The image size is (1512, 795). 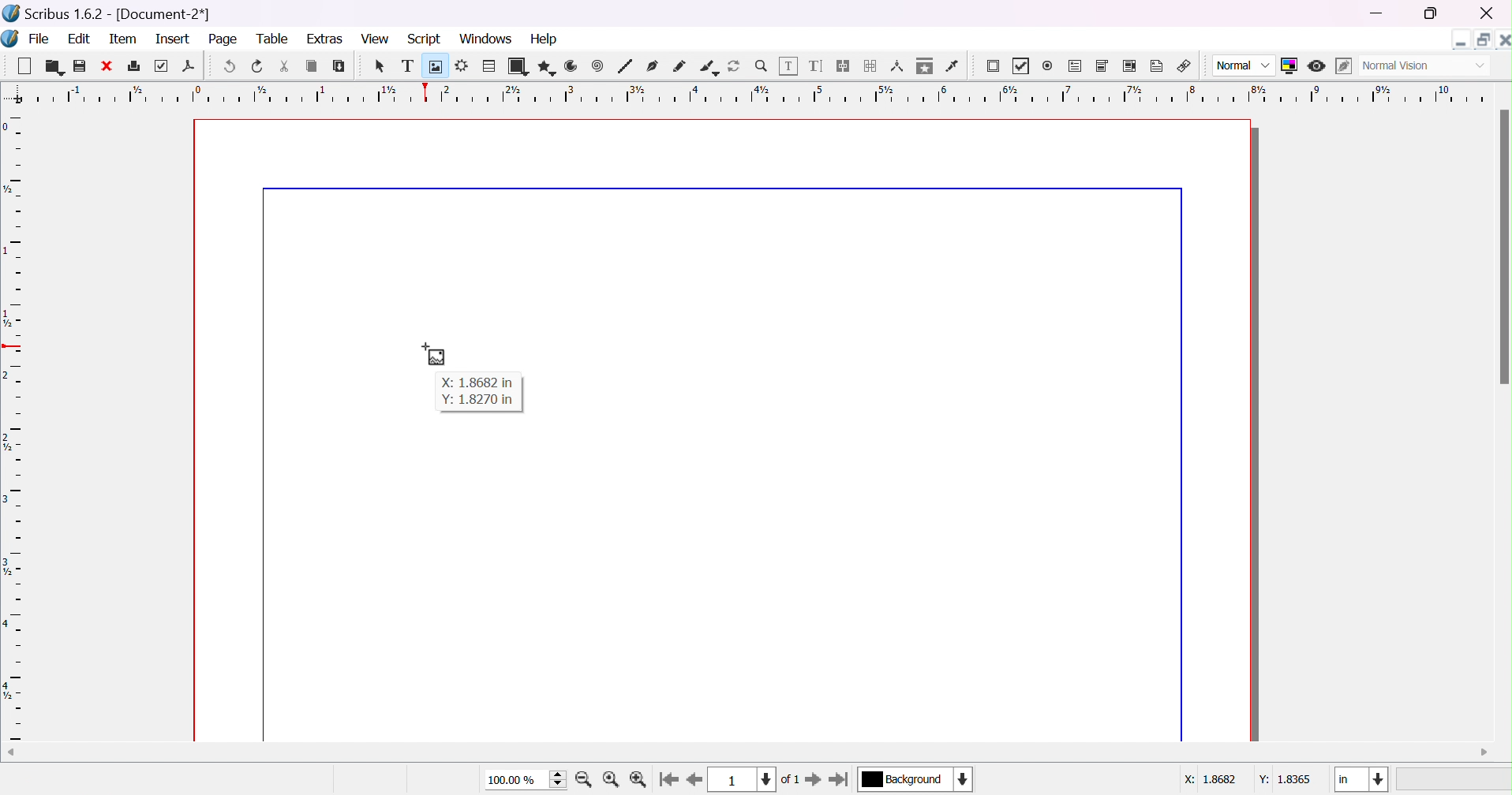 What do you see at coordinates (653, 65) in the screenshot?
I see `bezier curve` at bounding box center [653, 65].